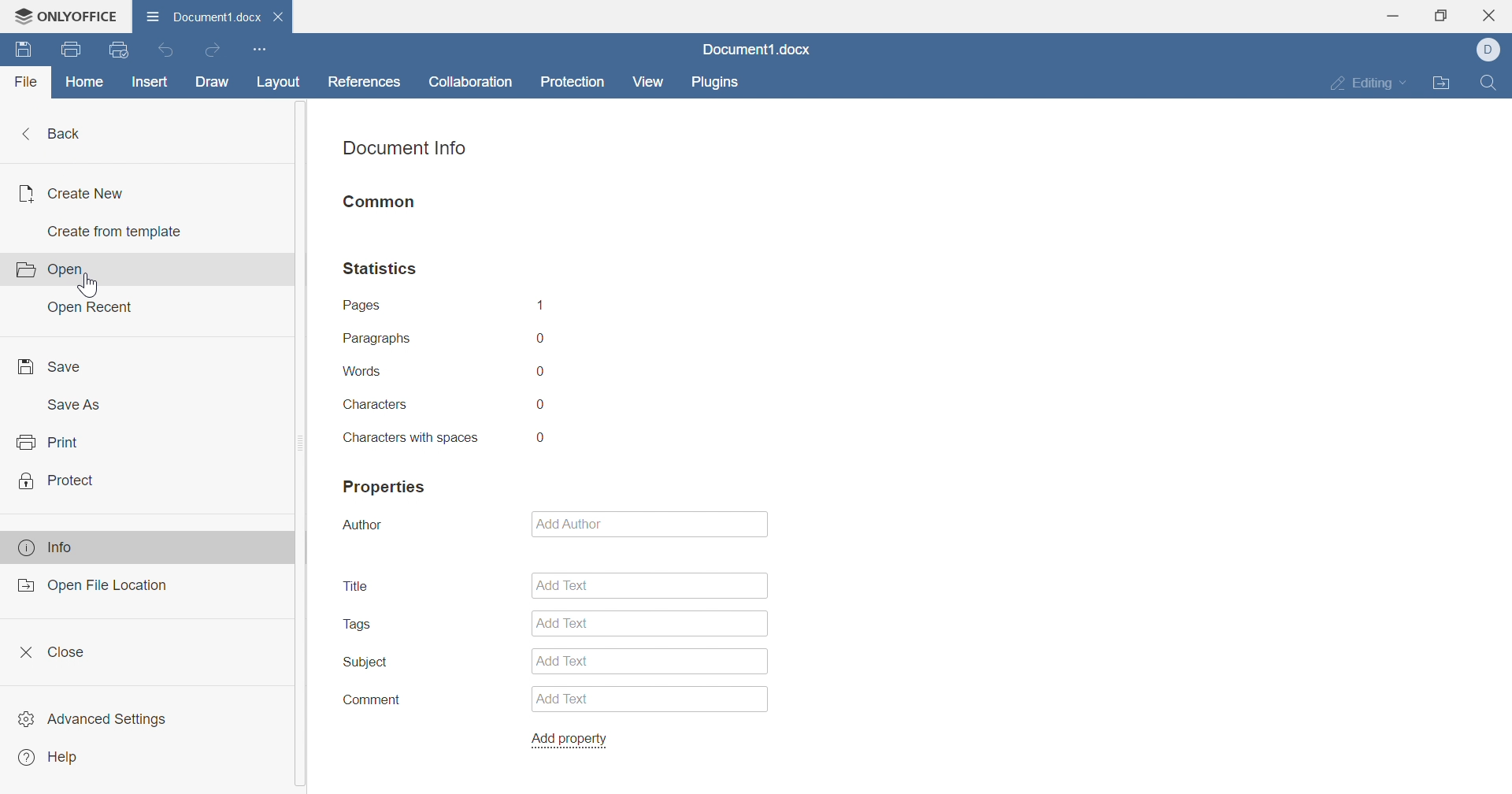  What do you see at coordinates (90, 285) in the screenshot?
I see `cursor on open ` at bounding box center [90, 285].